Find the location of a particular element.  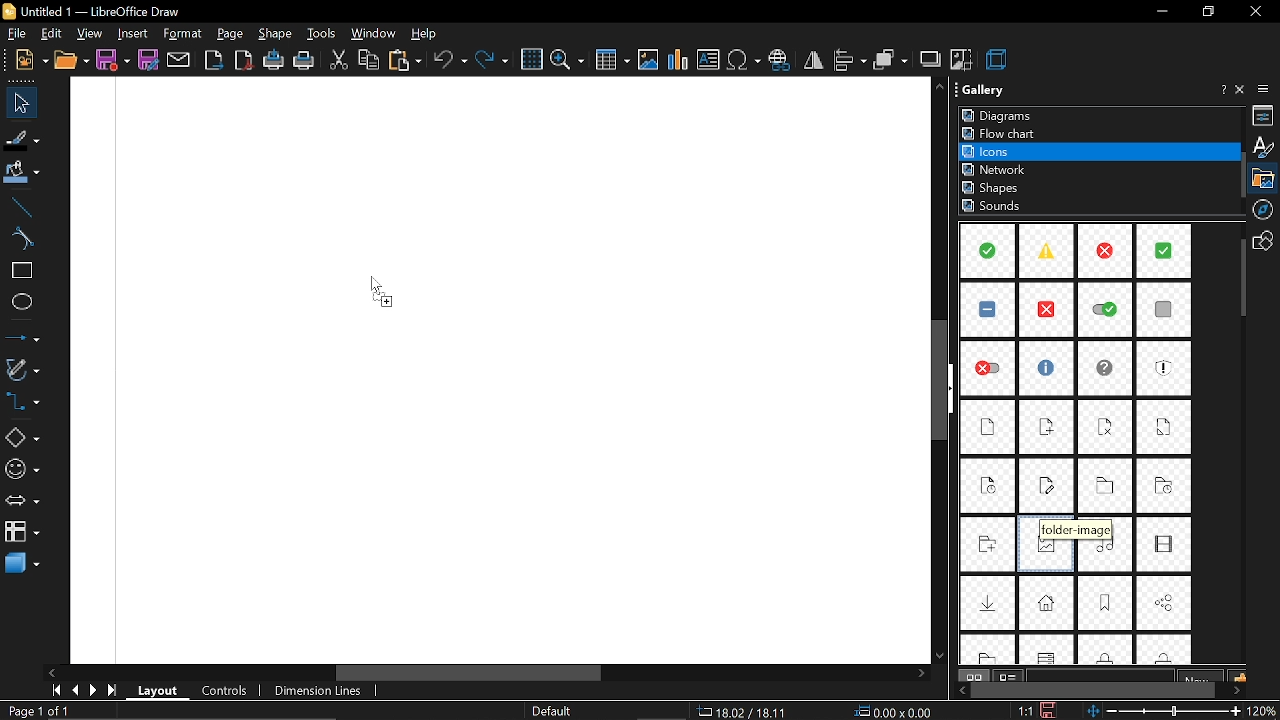

3d shapes is located at coordinates (19, 564).